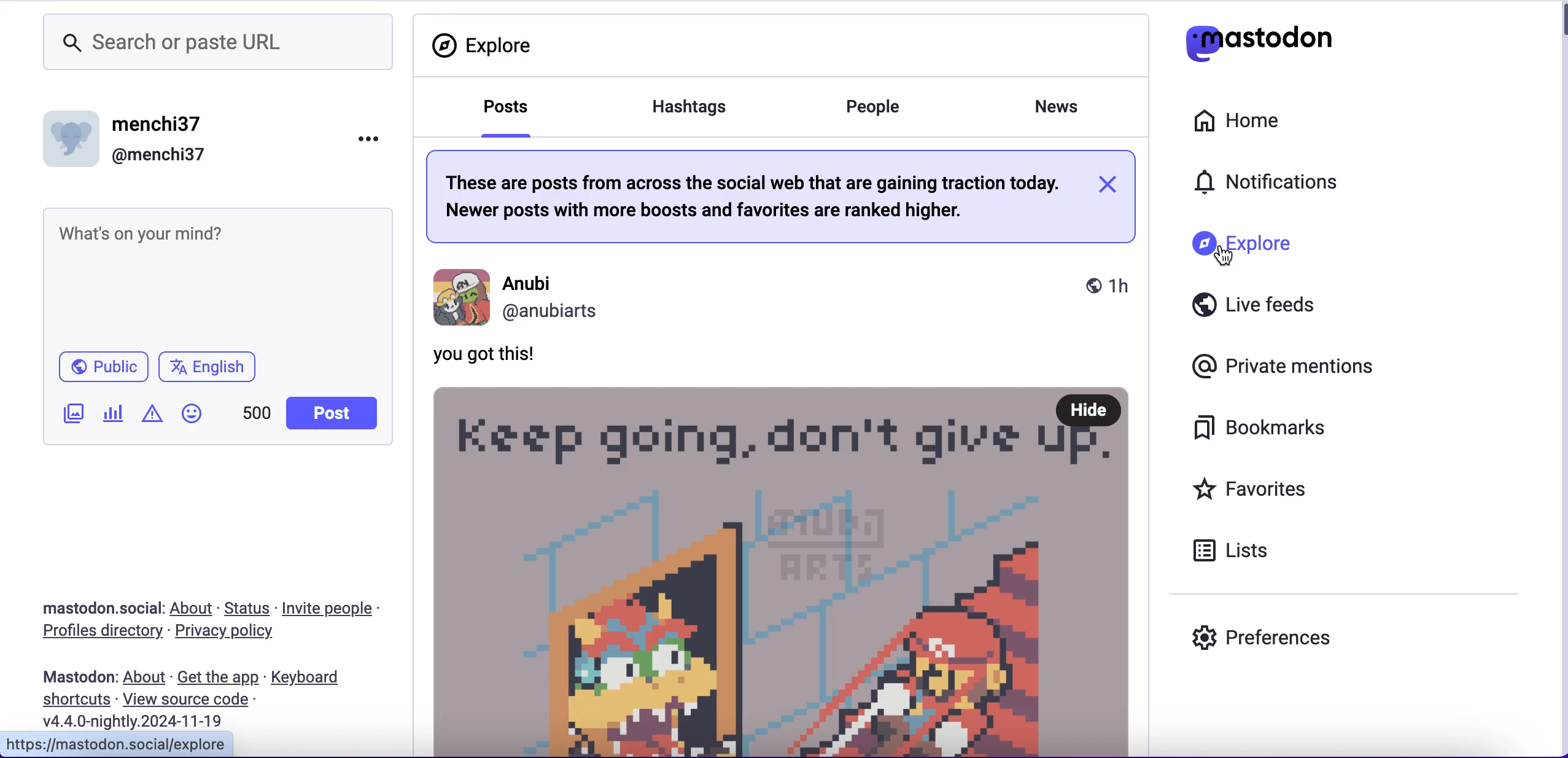 This screenshot has height=758, width=1568. Describe the element at coordinates (336, 610) in the screenshot. I see `invite people` at that location.